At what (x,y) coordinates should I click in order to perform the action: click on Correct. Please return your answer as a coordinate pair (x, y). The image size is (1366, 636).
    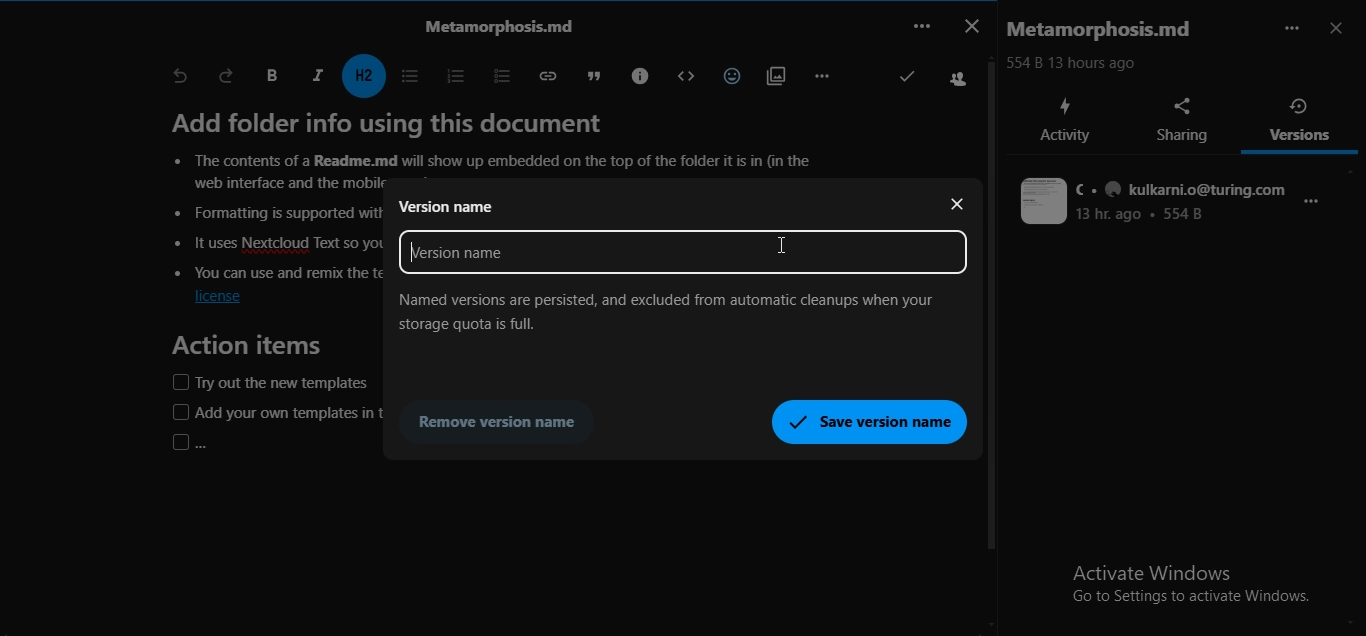
    Looking at the image, I should click on (910, 79).